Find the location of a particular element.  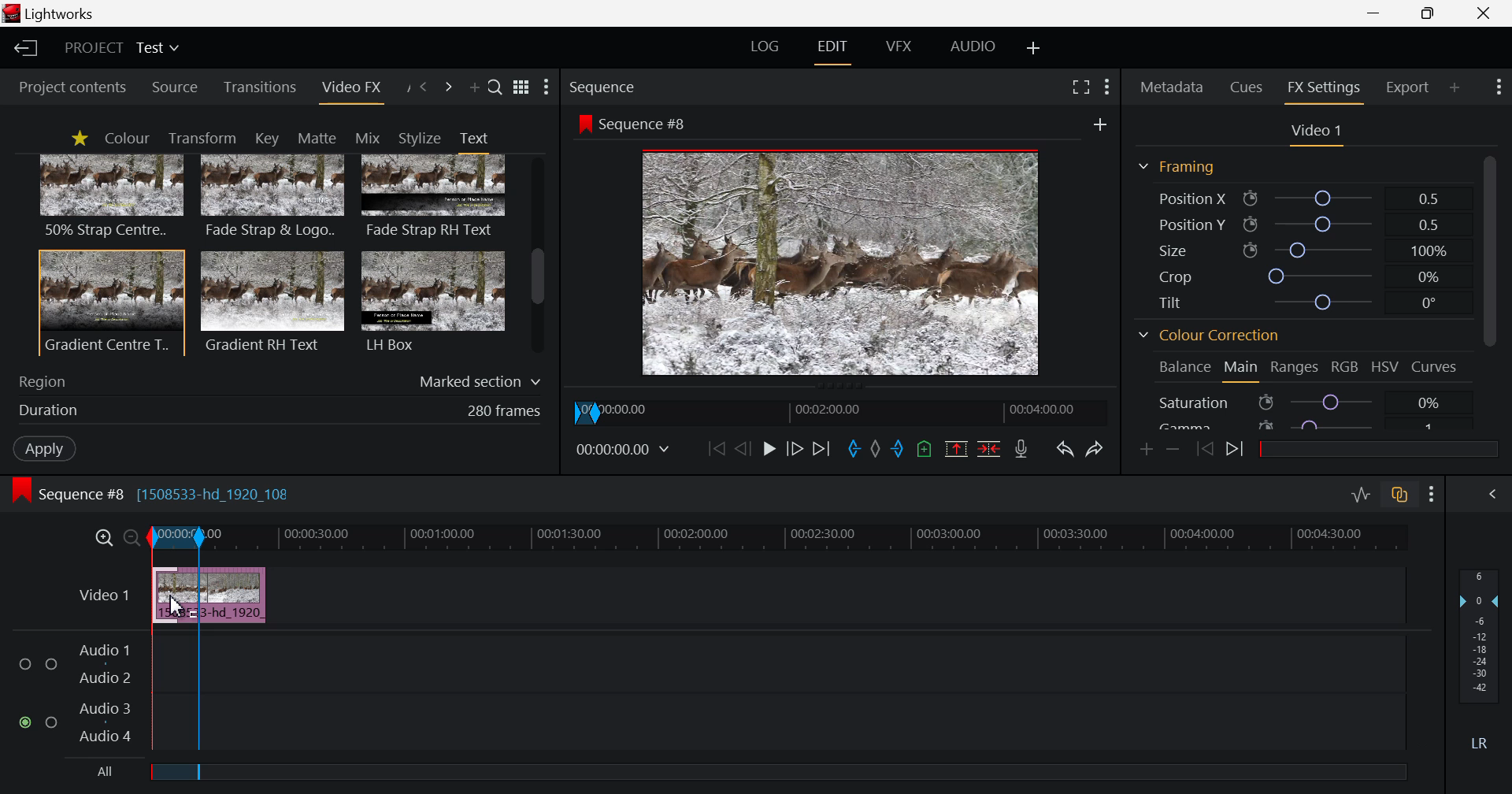

Scroll Bar is located at coordinates (1489, 288).